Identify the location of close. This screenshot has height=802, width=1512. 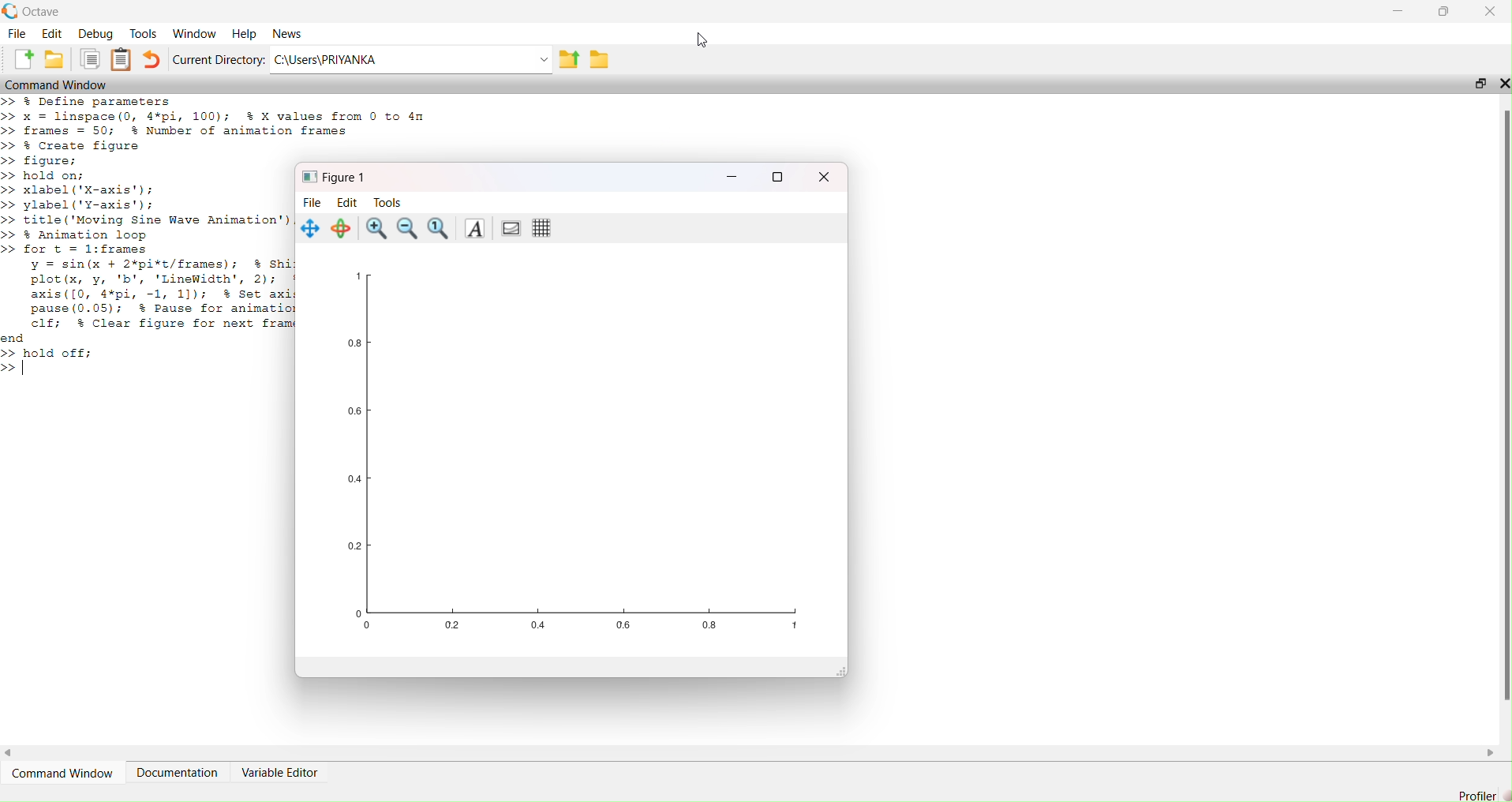
(1493, 11).